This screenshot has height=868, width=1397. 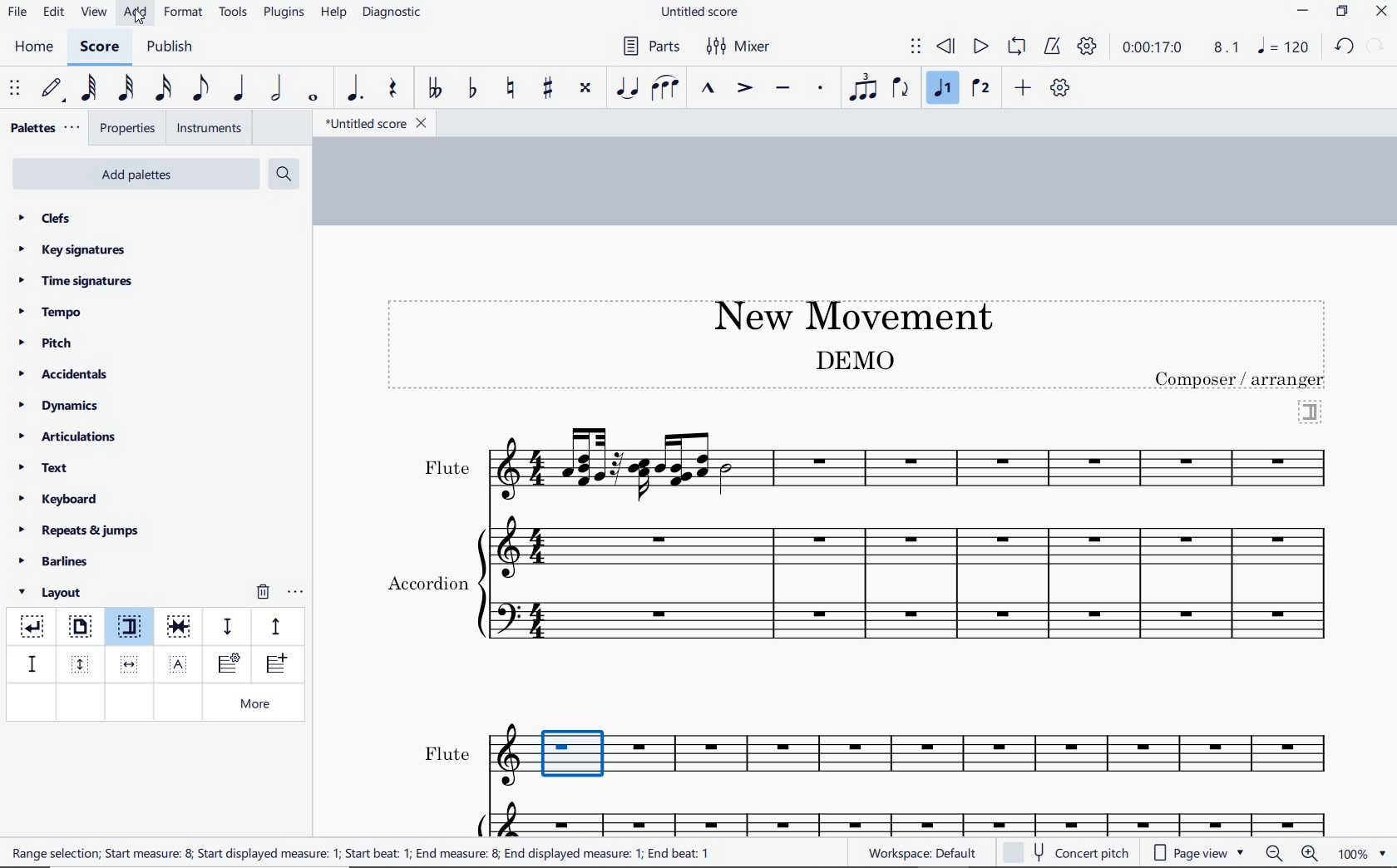 What do you see at coordinates (137, 12) in the screenshot?
I see `add ` at bounding box center [137, 12].